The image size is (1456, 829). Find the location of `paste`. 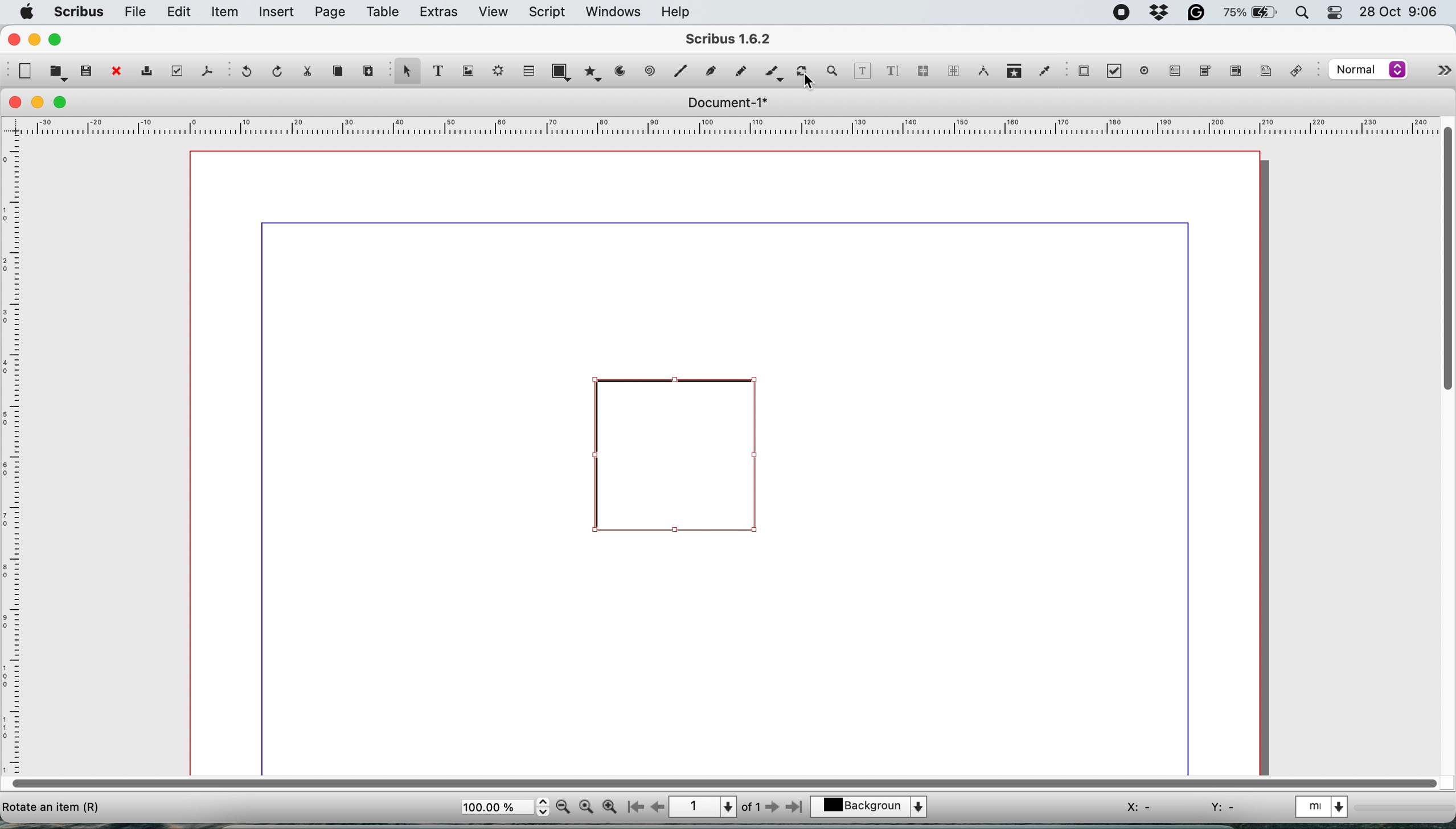

paste is located at coordinates (368, 72).